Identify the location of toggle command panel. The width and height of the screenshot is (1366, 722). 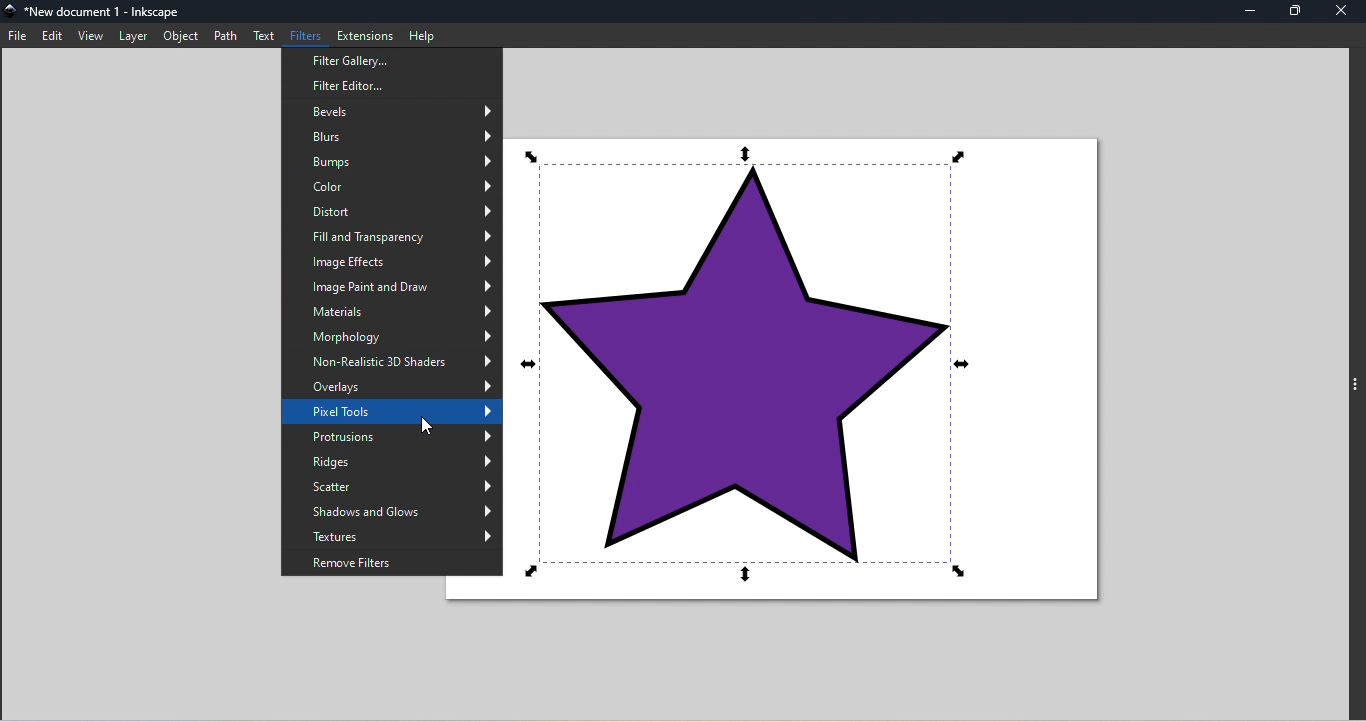
(1354, 381).